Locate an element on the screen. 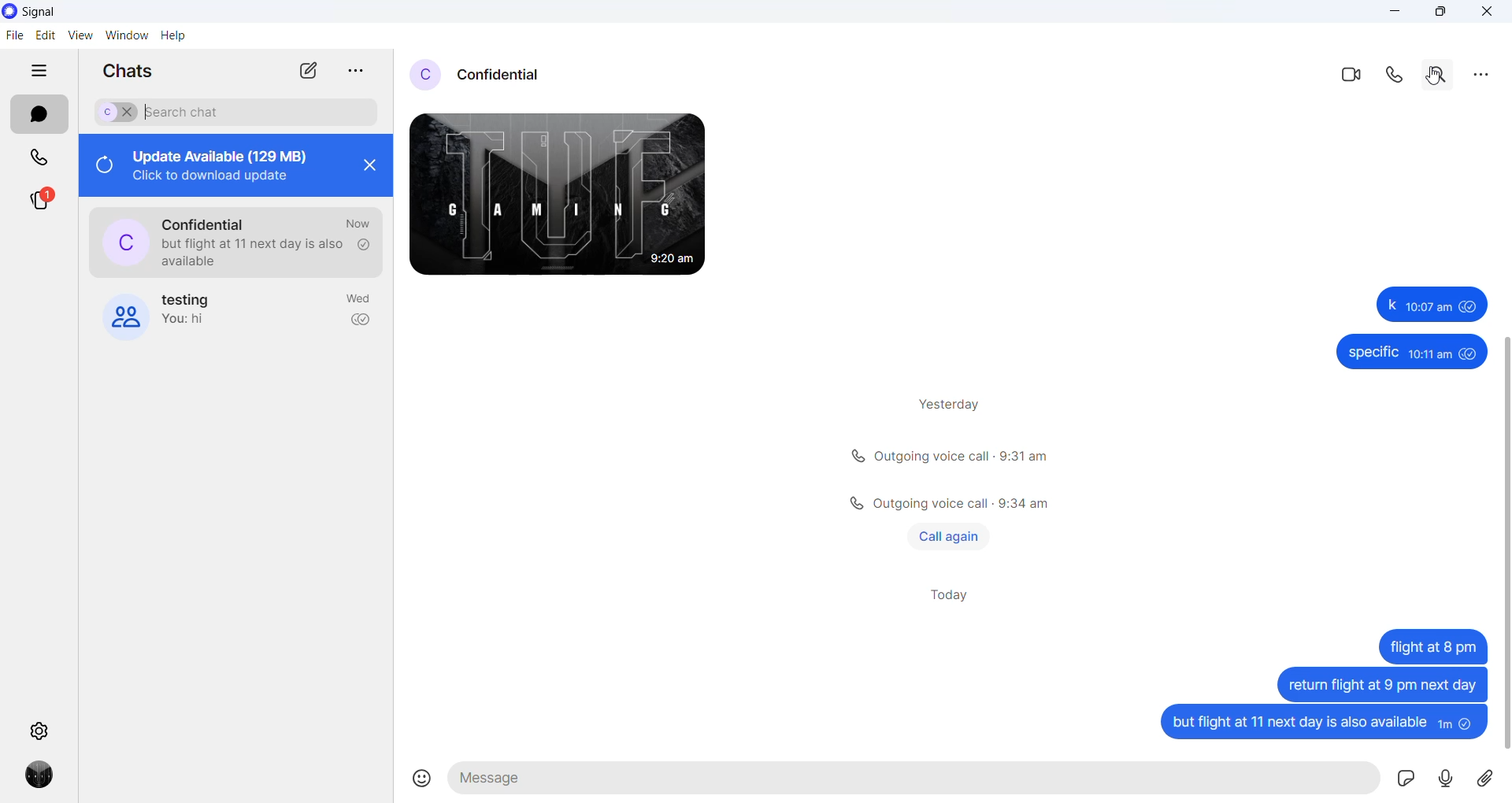 Image resolution: width=1512 pixels, height=803 pixels.  is located at coordinates (948, 504).